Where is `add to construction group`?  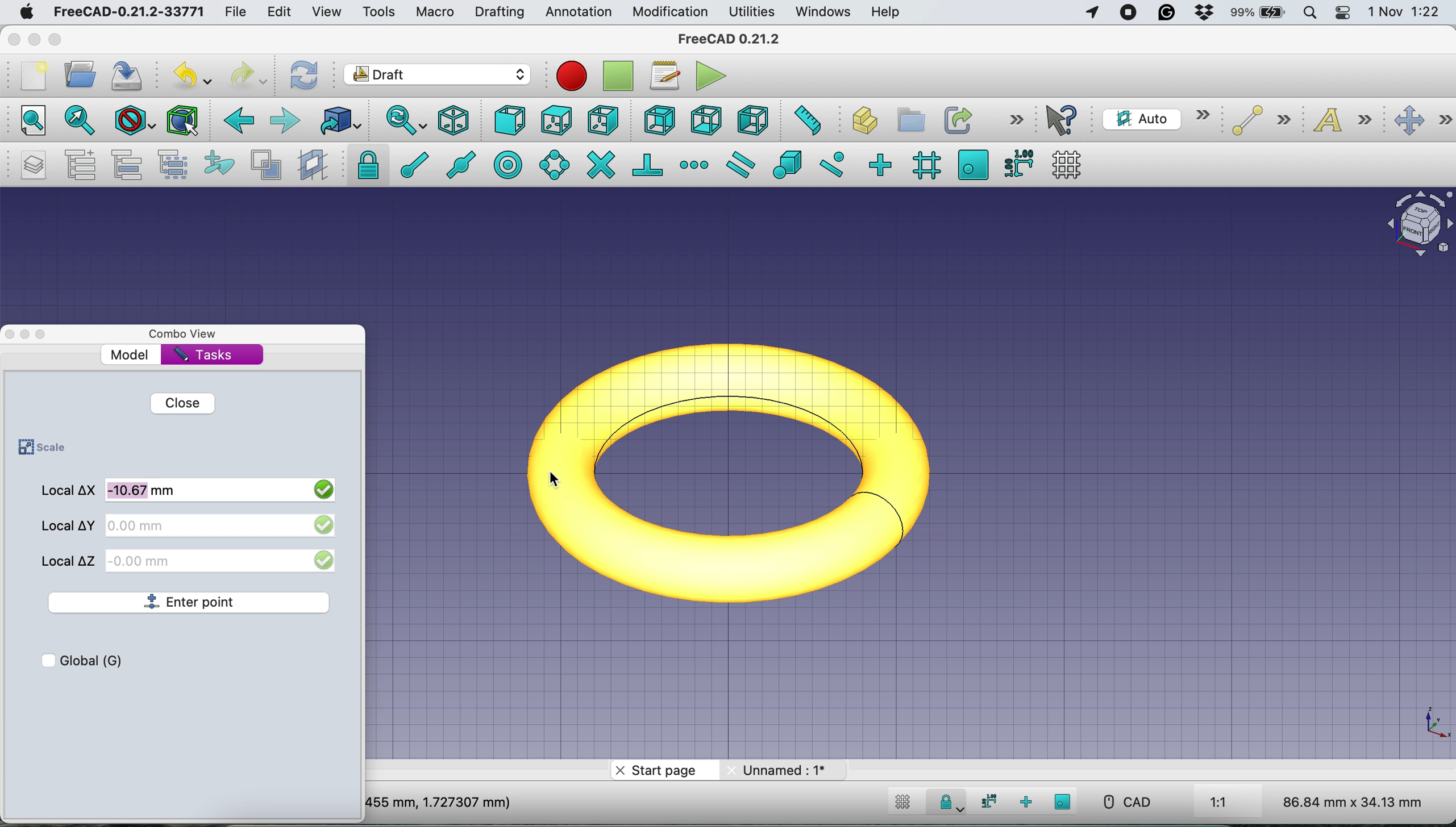 add to construction group is located at coordinates (215, 165).